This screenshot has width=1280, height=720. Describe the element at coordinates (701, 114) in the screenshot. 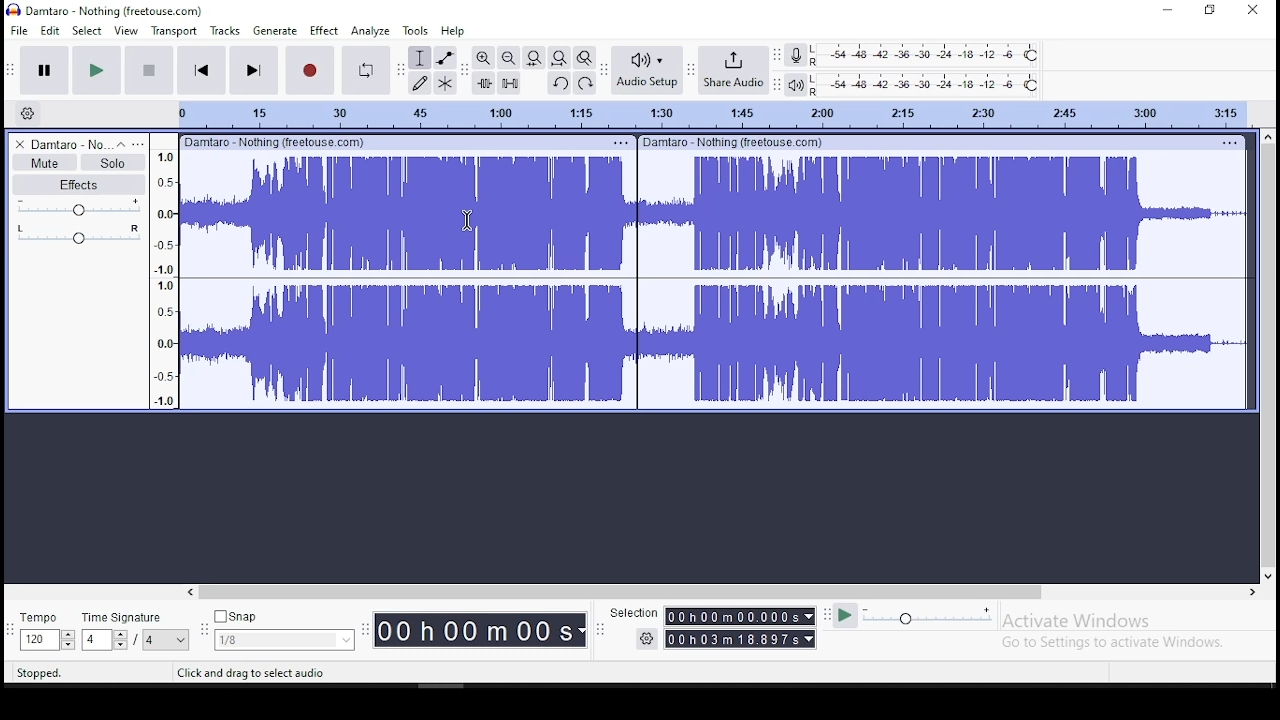

I see `timeline` at that location.